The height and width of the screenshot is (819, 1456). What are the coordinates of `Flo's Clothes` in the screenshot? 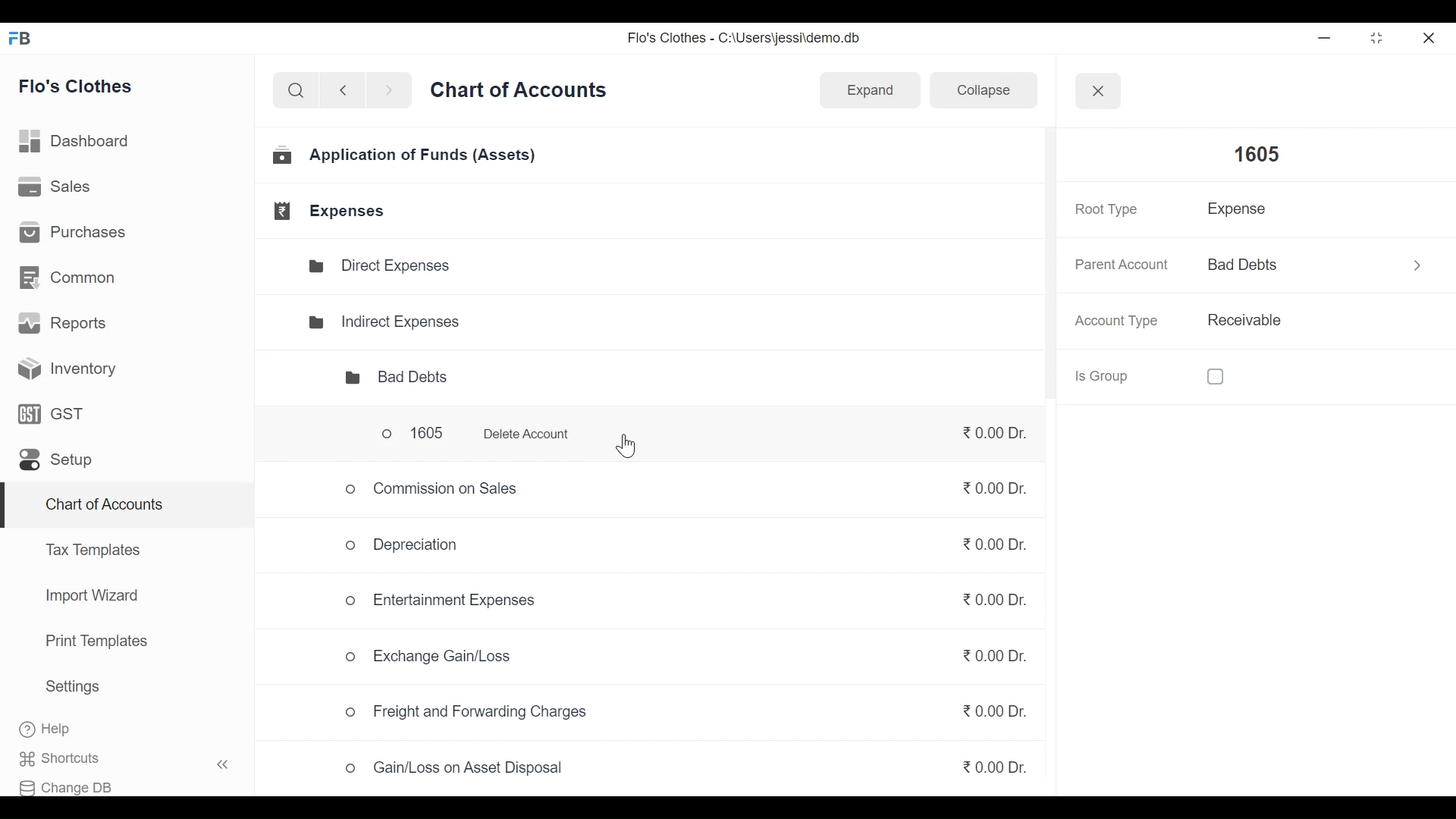 It's located at (83, 87).